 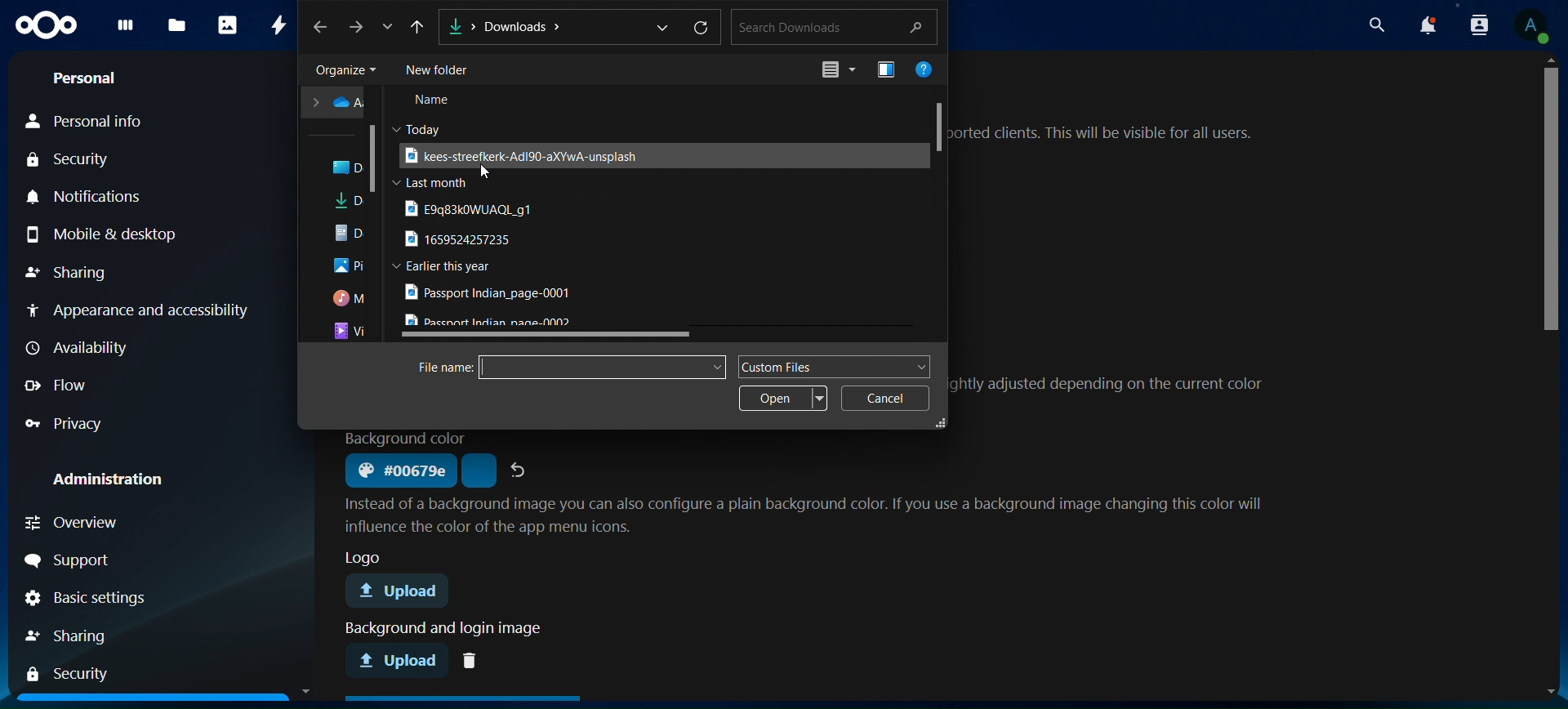 I want to click on file, so click(x=463, y=240).